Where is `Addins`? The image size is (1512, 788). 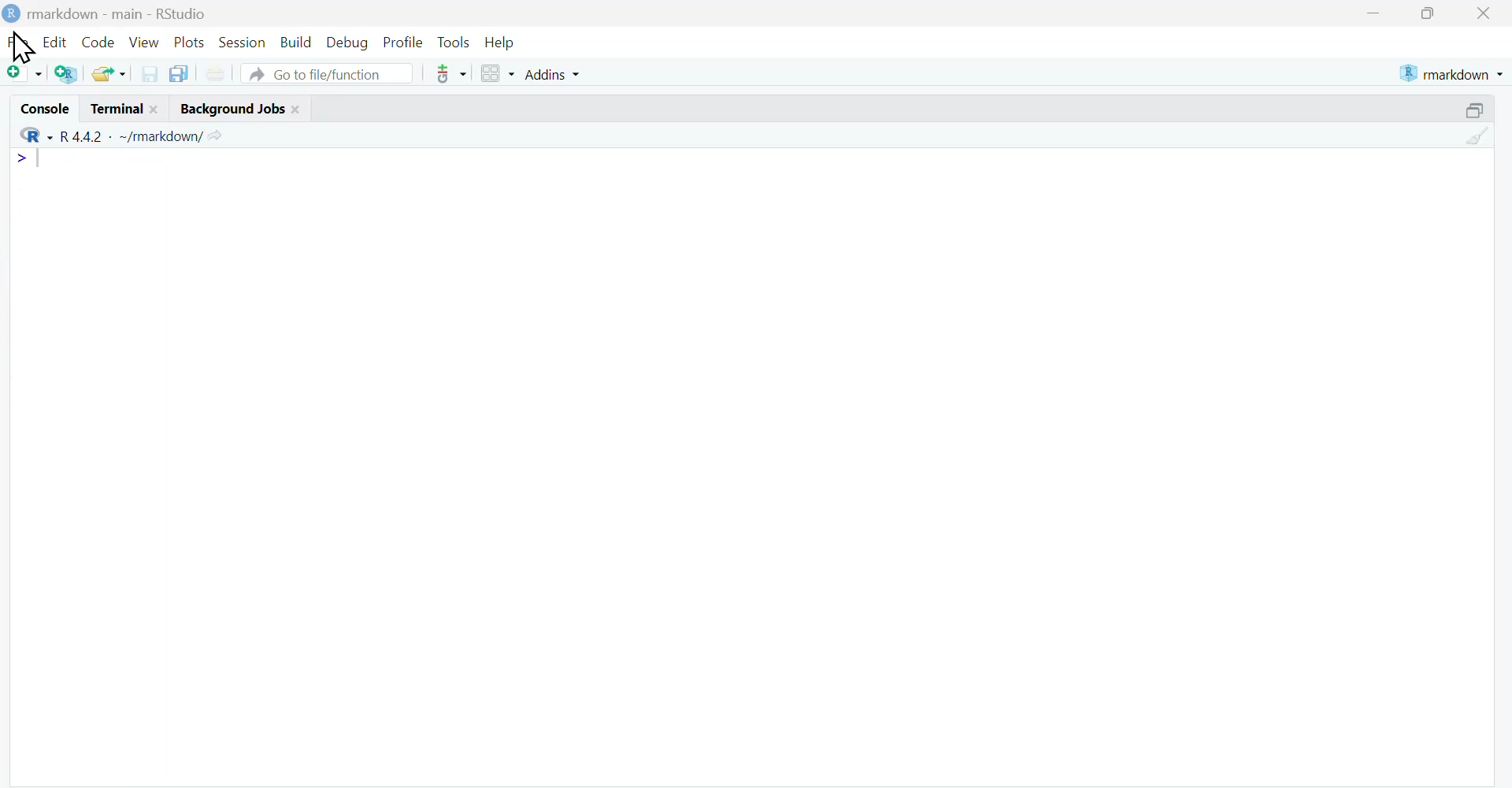
Addins is located at coordinates (550, 73).